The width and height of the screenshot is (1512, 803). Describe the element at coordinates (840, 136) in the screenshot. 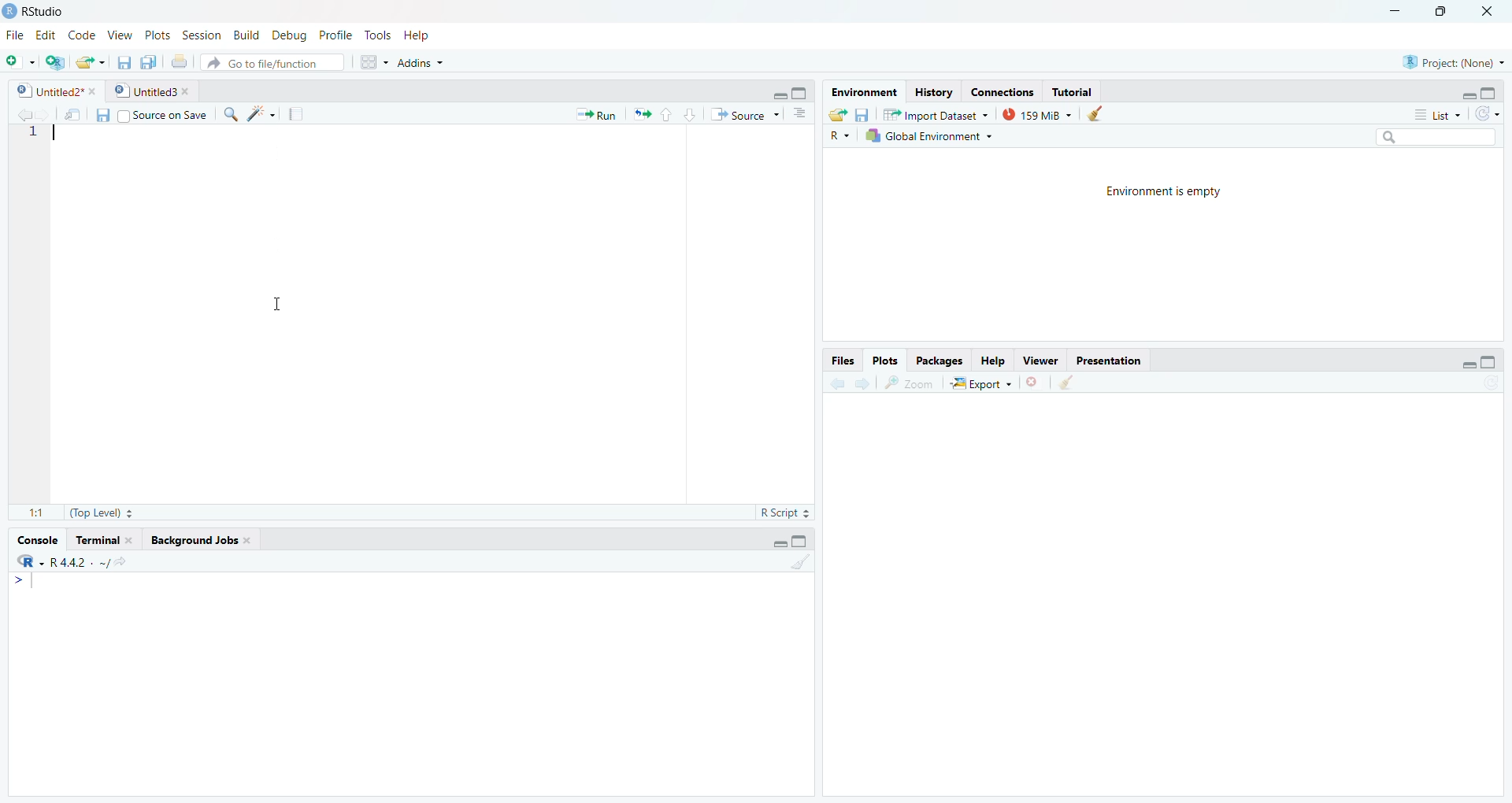

I see `R` at that location.